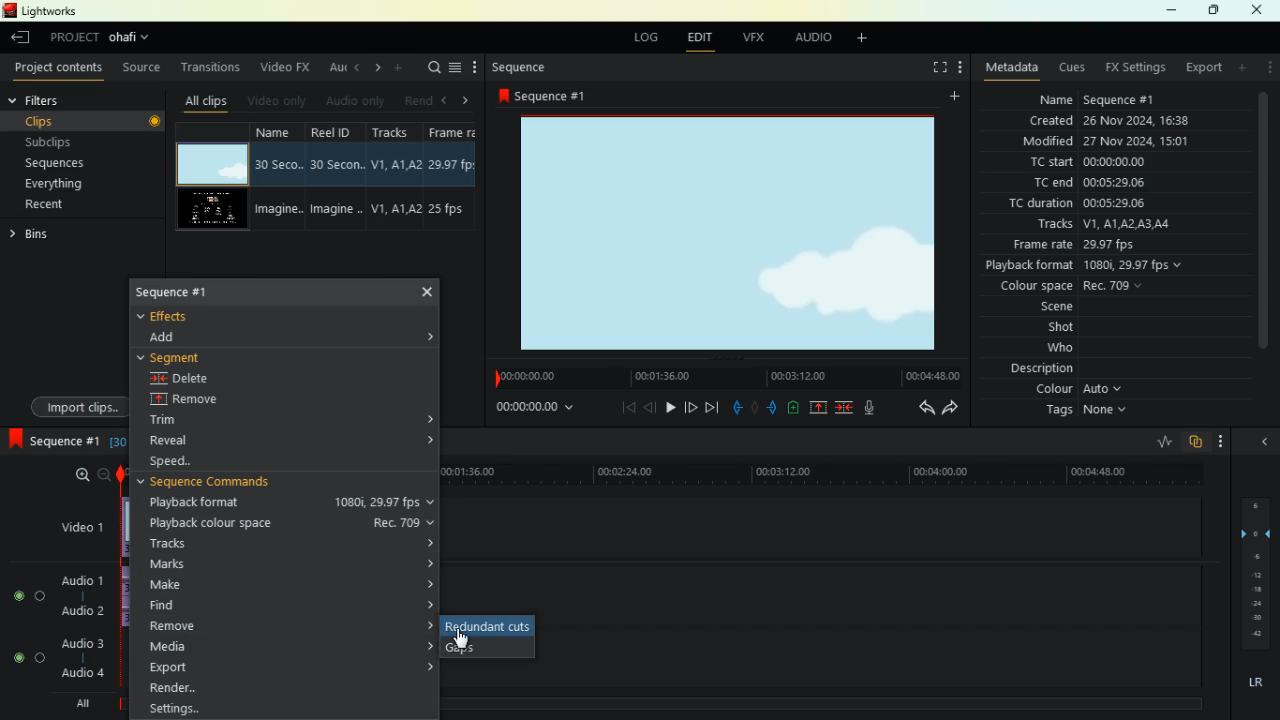 This screenshot has width=1280, height=720. Describe the element at coordinates (431, 335) in the screenshot. I see `Accordio` at that location.